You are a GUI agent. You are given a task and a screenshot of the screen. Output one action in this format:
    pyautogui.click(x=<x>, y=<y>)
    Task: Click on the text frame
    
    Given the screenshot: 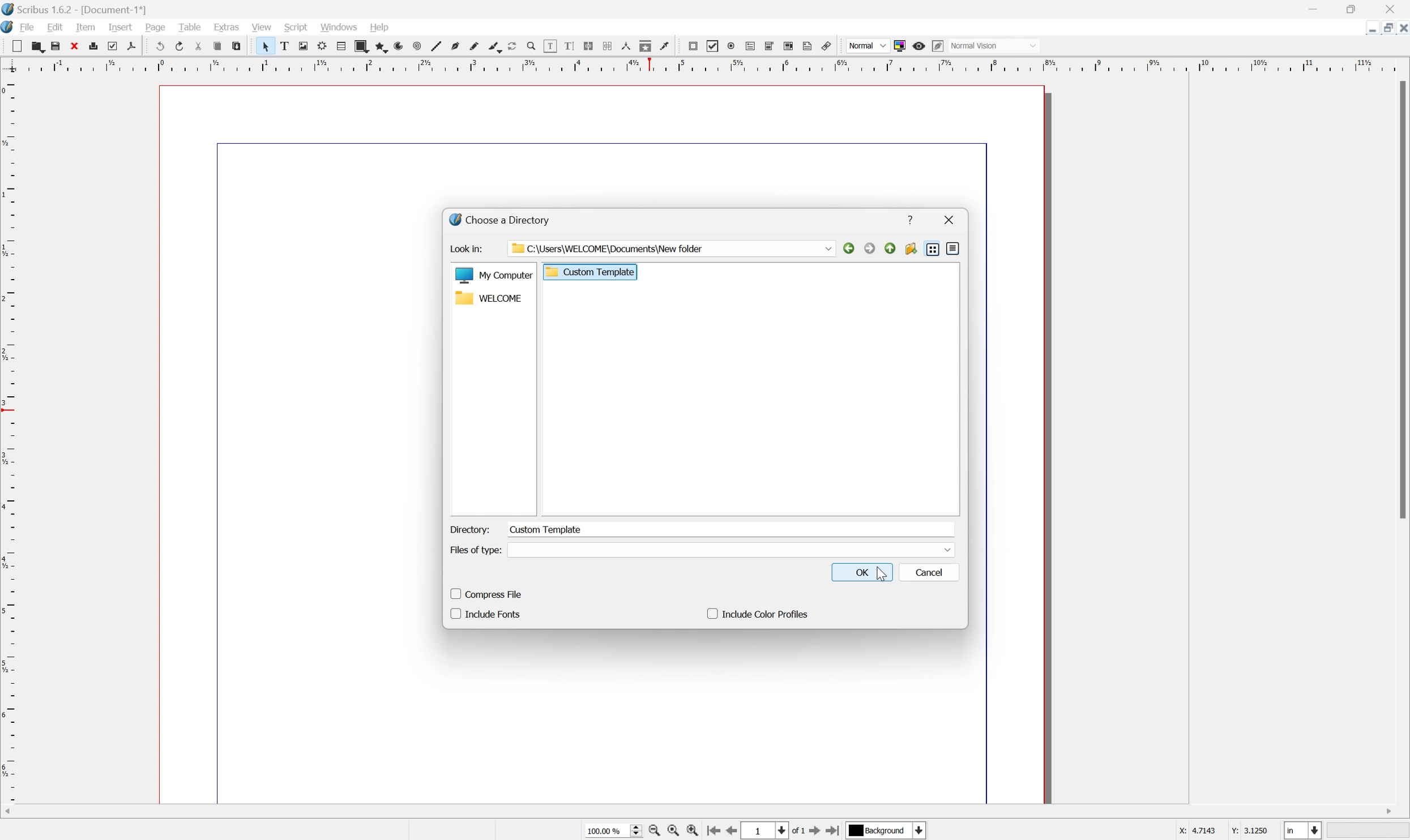 What is the action you would take?
    pyautogui.click(x=287, y=44)
    